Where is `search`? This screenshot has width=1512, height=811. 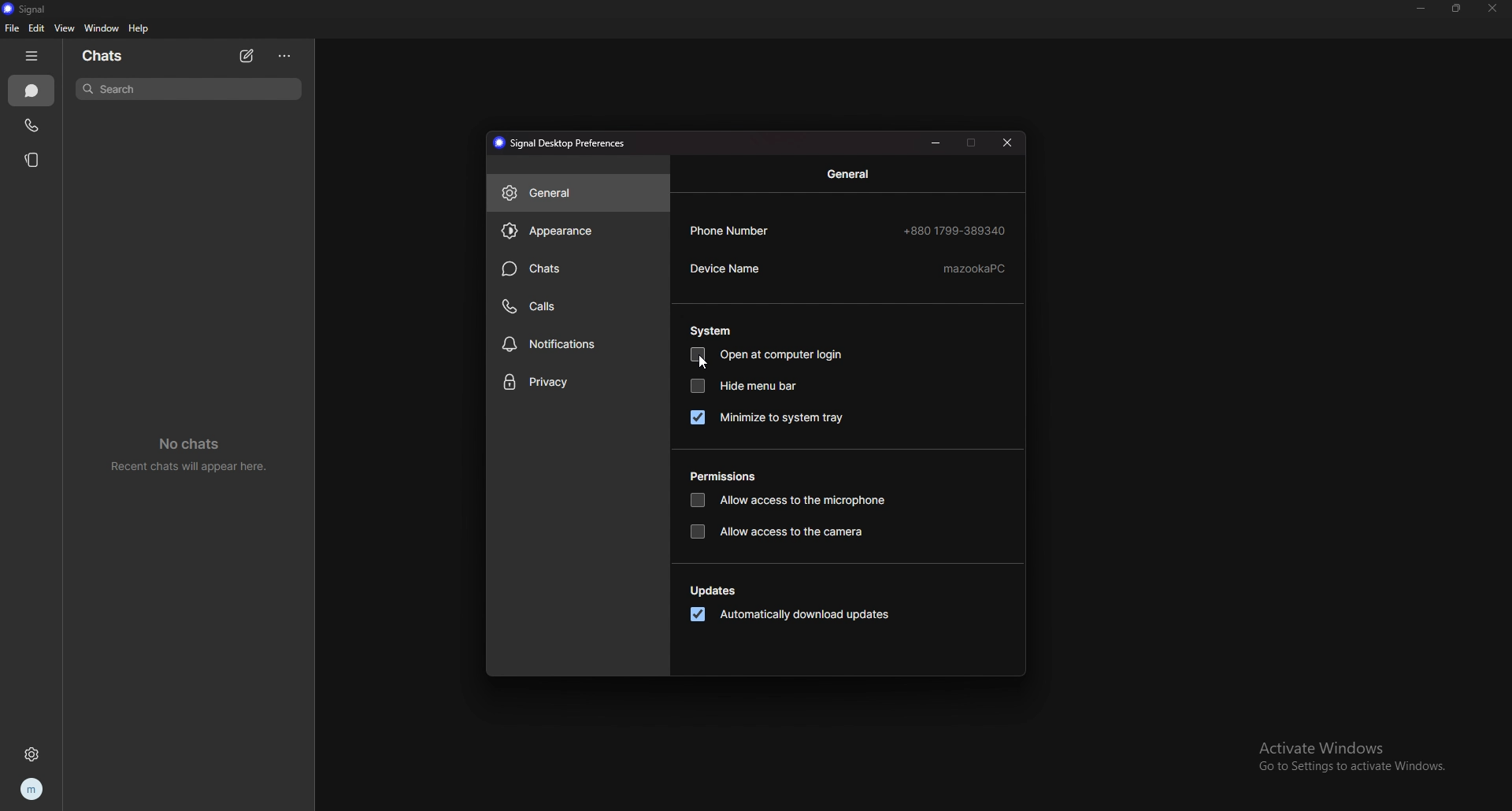 search is located at coordinates (187, 88).